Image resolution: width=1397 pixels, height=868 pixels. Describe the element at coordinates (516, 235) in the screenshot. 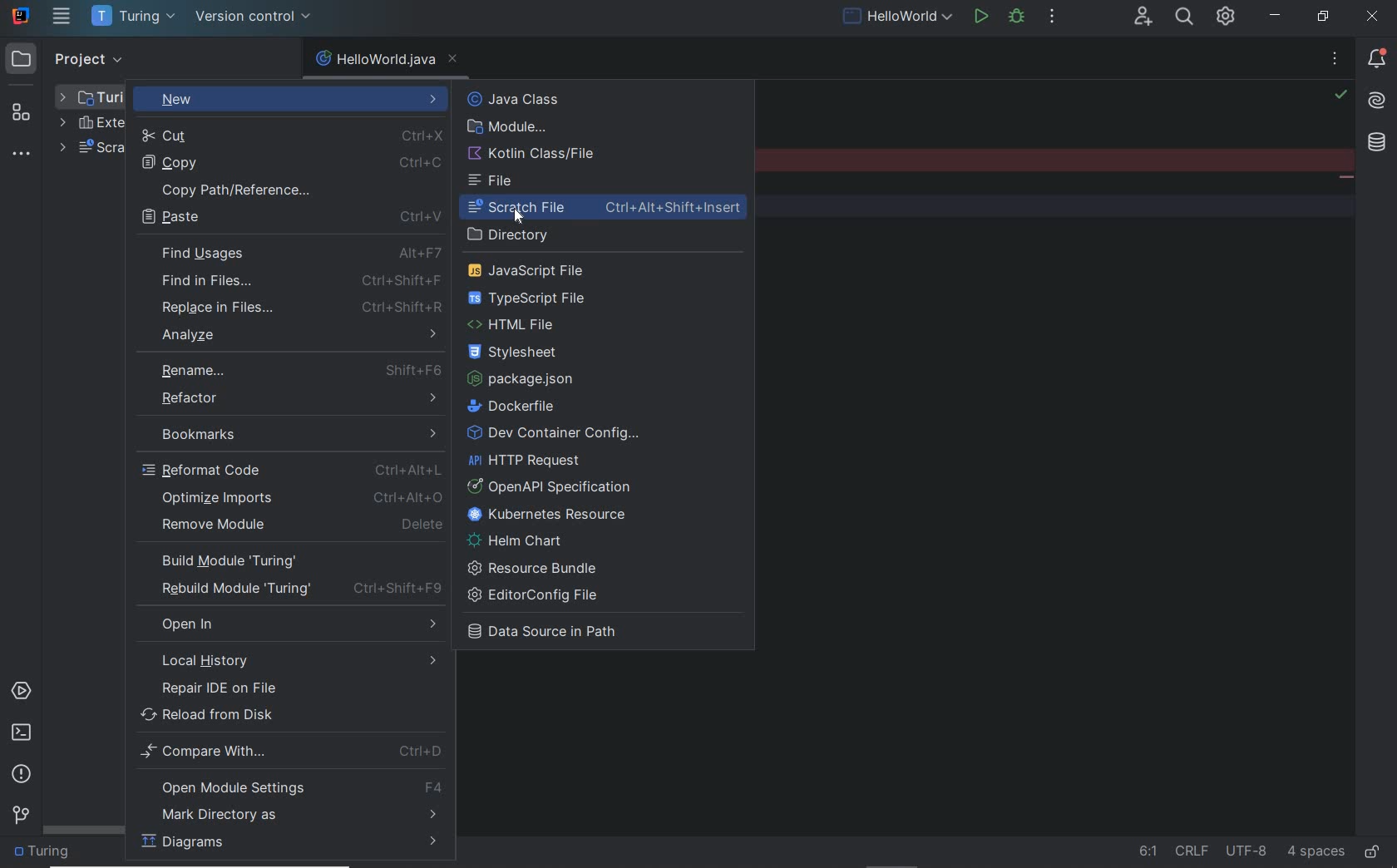

I see `directory` at that location.